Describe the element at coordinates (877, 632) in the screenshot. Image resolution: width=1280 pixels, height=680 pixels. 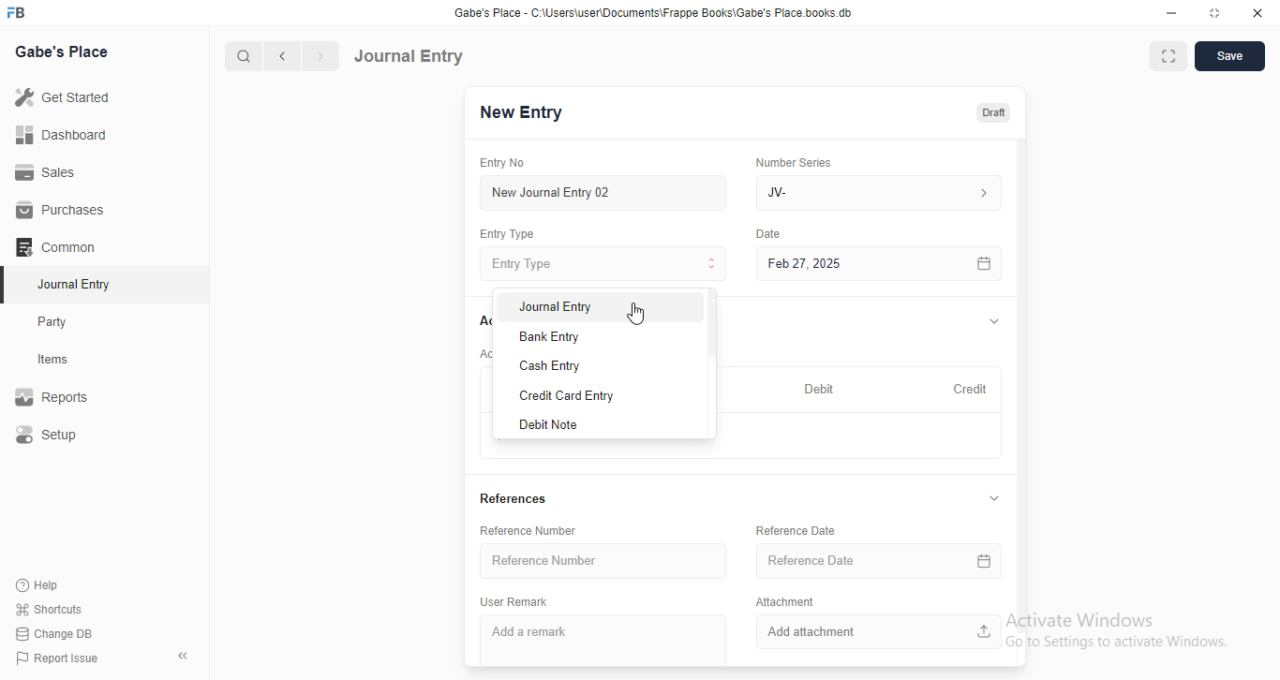
I see `‘Add attachment` at that location.